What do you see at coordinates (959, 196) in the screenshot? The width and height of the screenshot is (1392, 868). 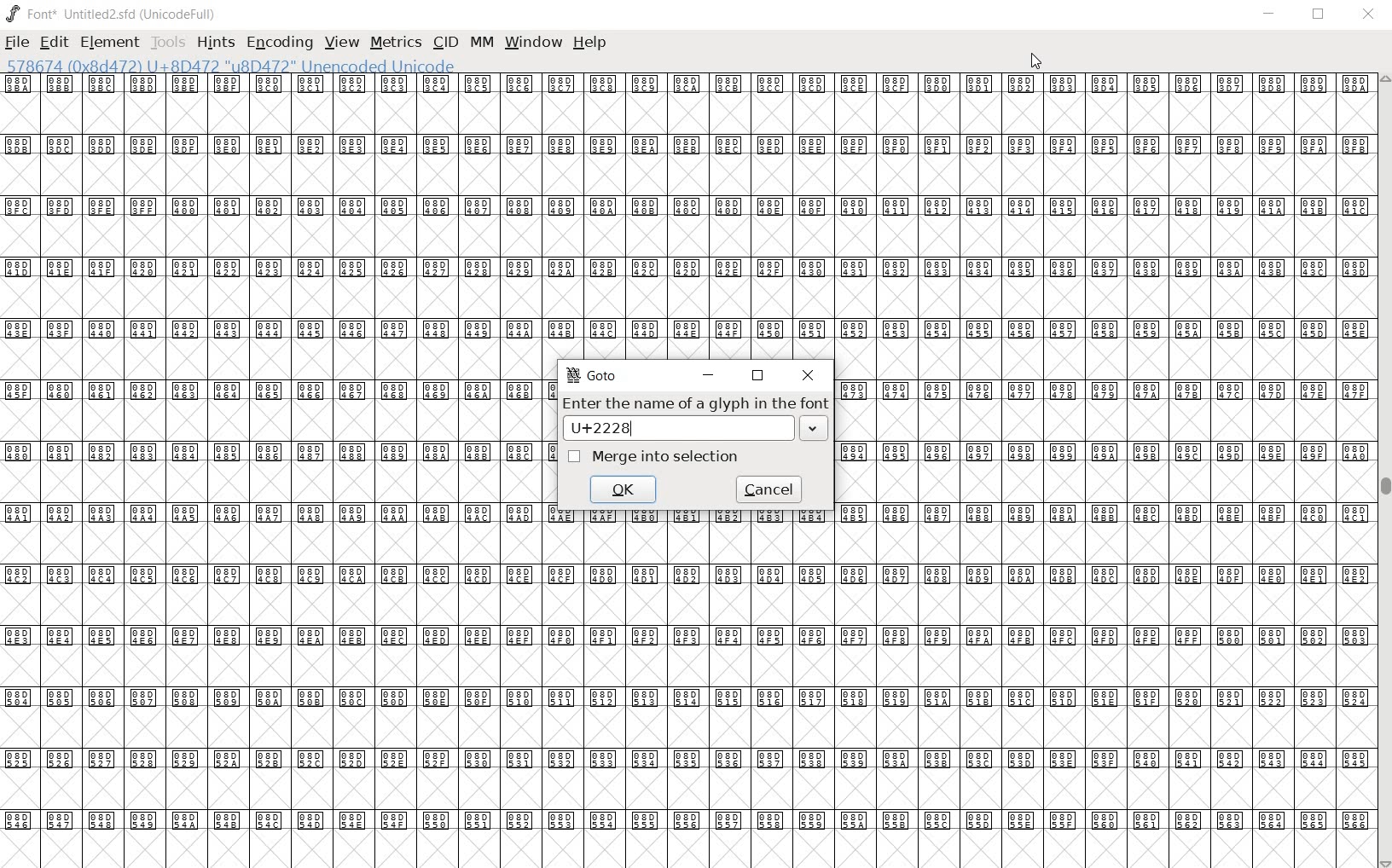 I see `glyph characters` at bounding box center [959, 196].